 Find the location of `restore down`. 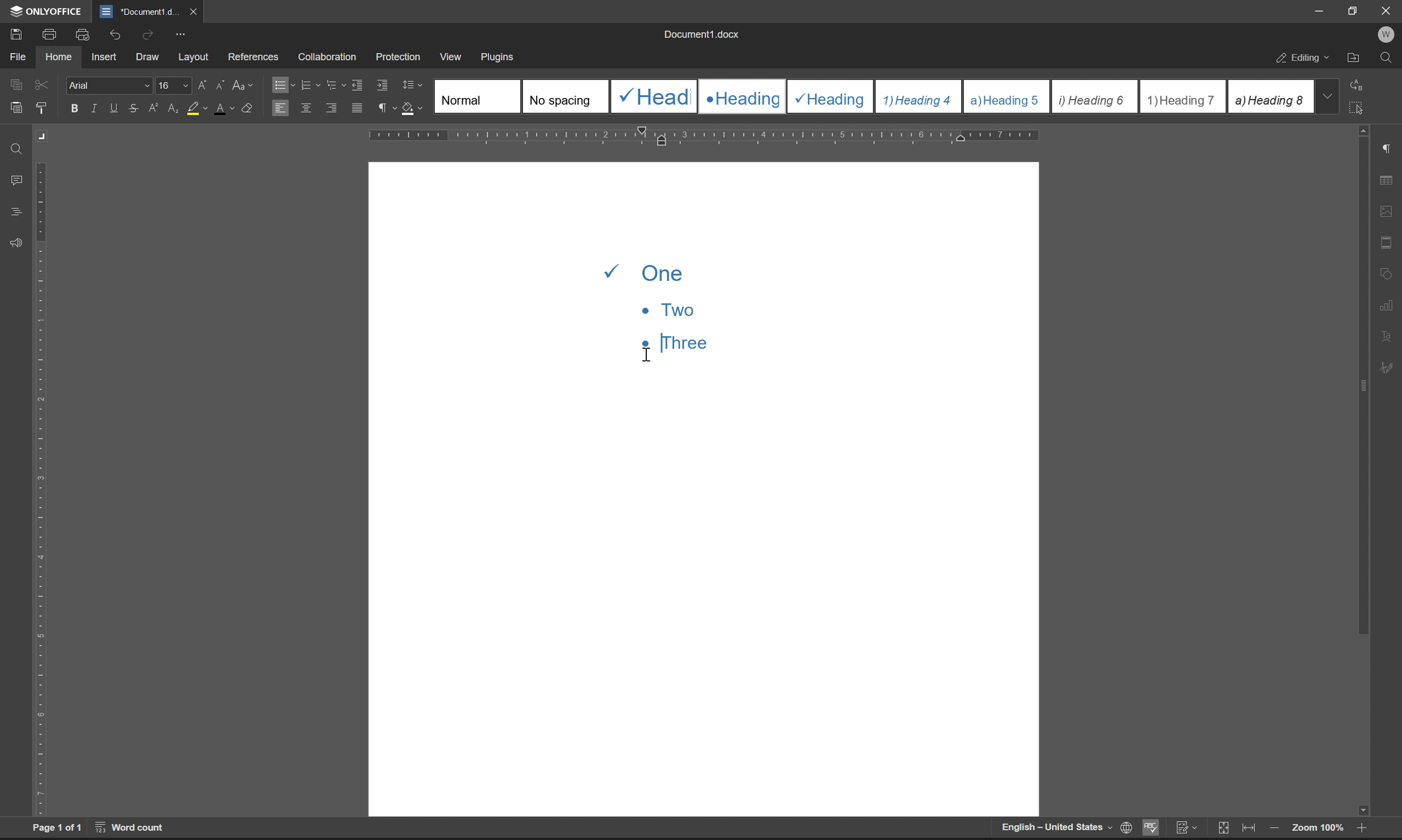

restore down is located at coordinates (1356, 10).